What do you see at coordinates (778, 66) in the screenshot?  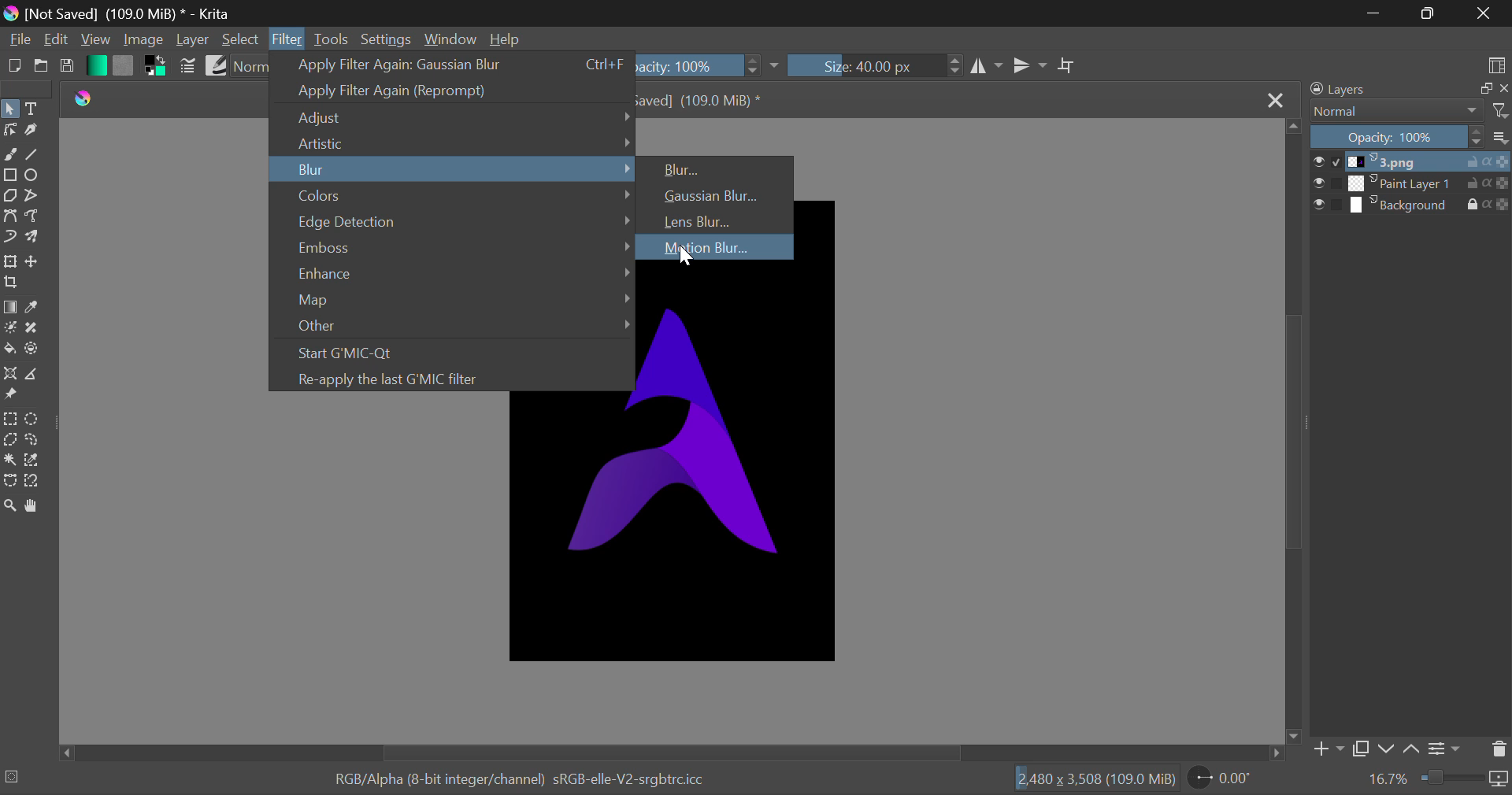 I see `dropdown` at bounding box center [778, 66].